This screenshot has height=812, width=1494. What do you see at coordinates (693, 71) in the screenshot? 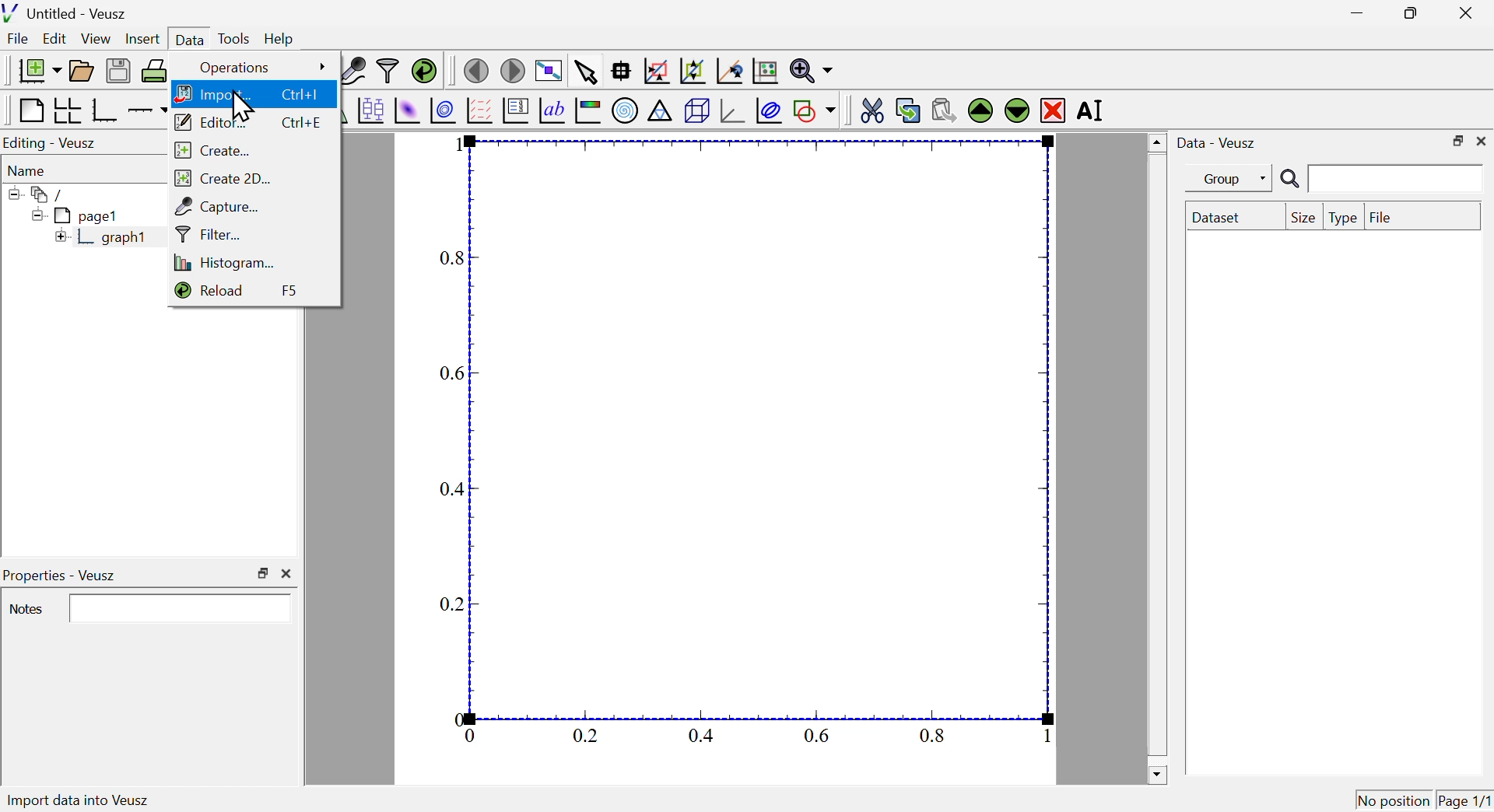
I see `zoom out of graph axes` at bounding box center [693, 71].